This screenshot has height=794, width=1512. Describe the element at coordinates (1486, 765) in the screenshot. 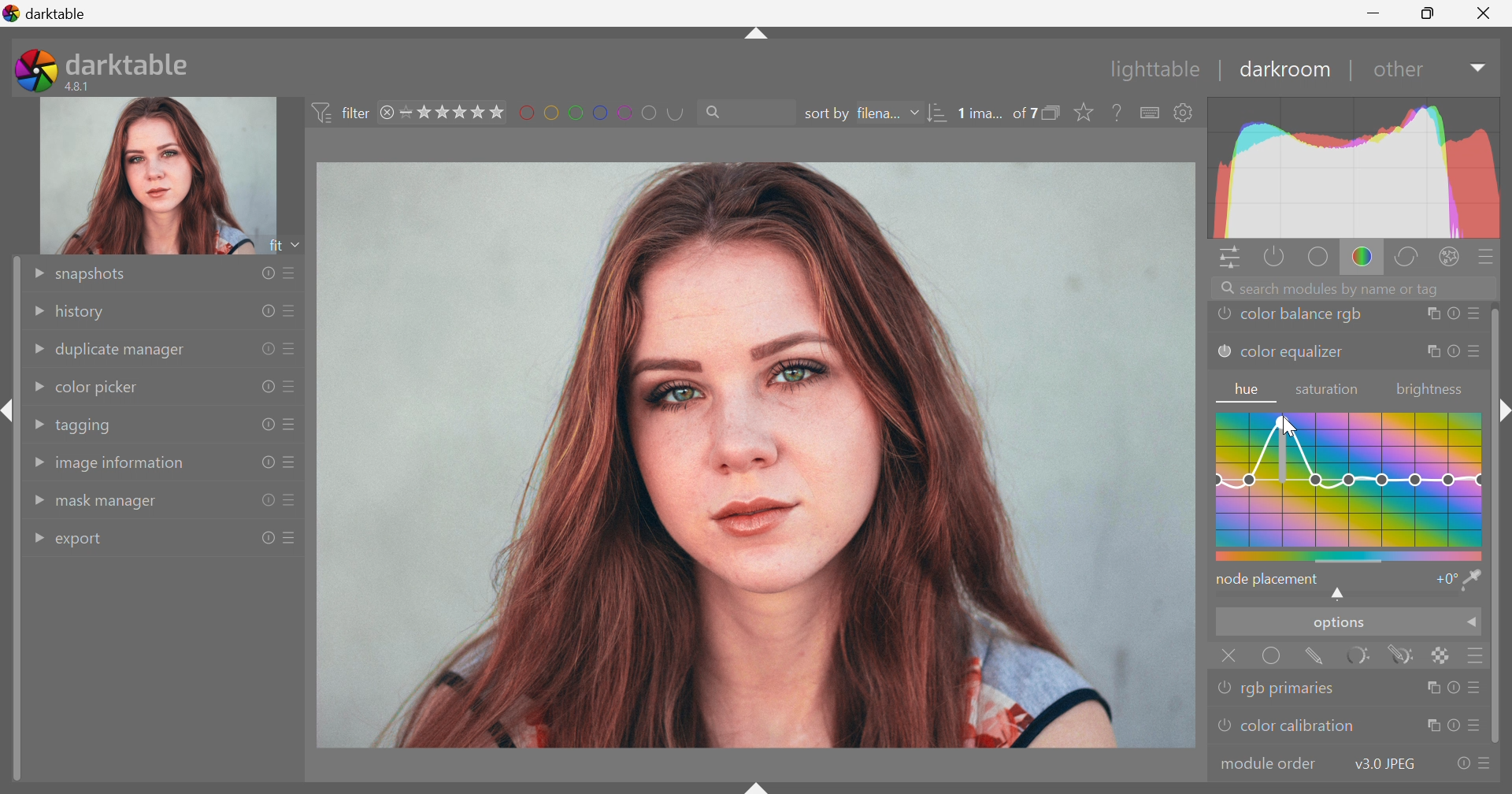

I see `presets` at that location.